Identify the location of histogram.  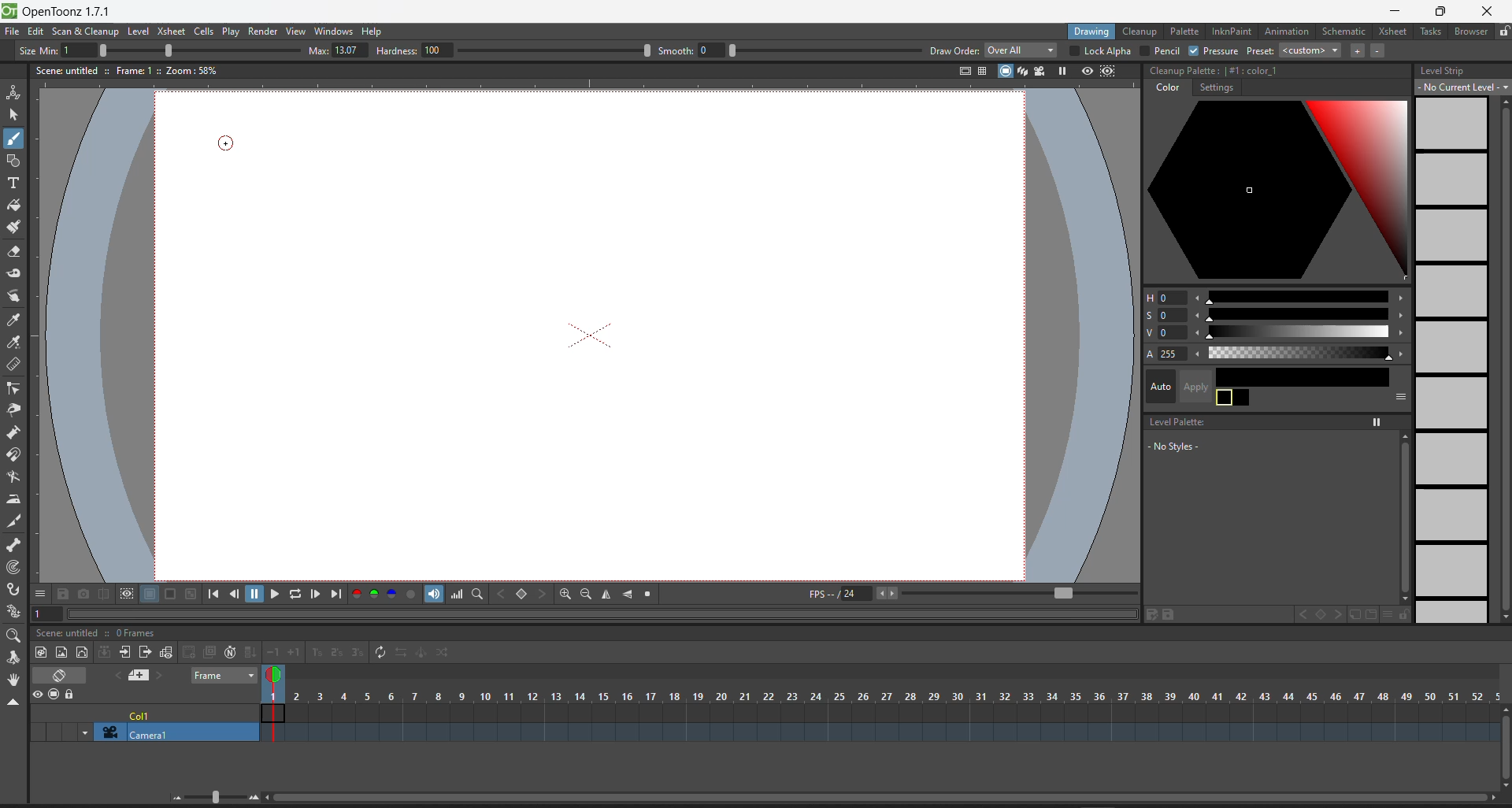
(457, 593).